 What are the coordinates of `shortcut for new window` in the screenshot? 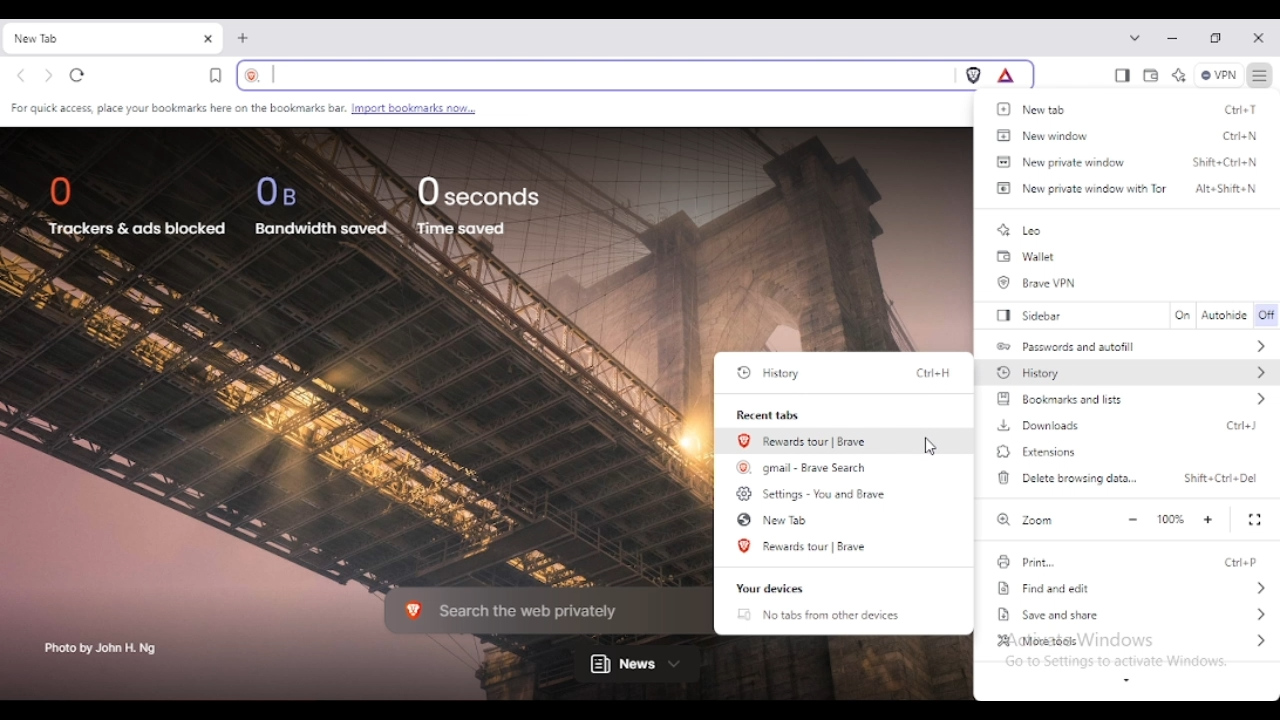 It's located at (1241, 137).